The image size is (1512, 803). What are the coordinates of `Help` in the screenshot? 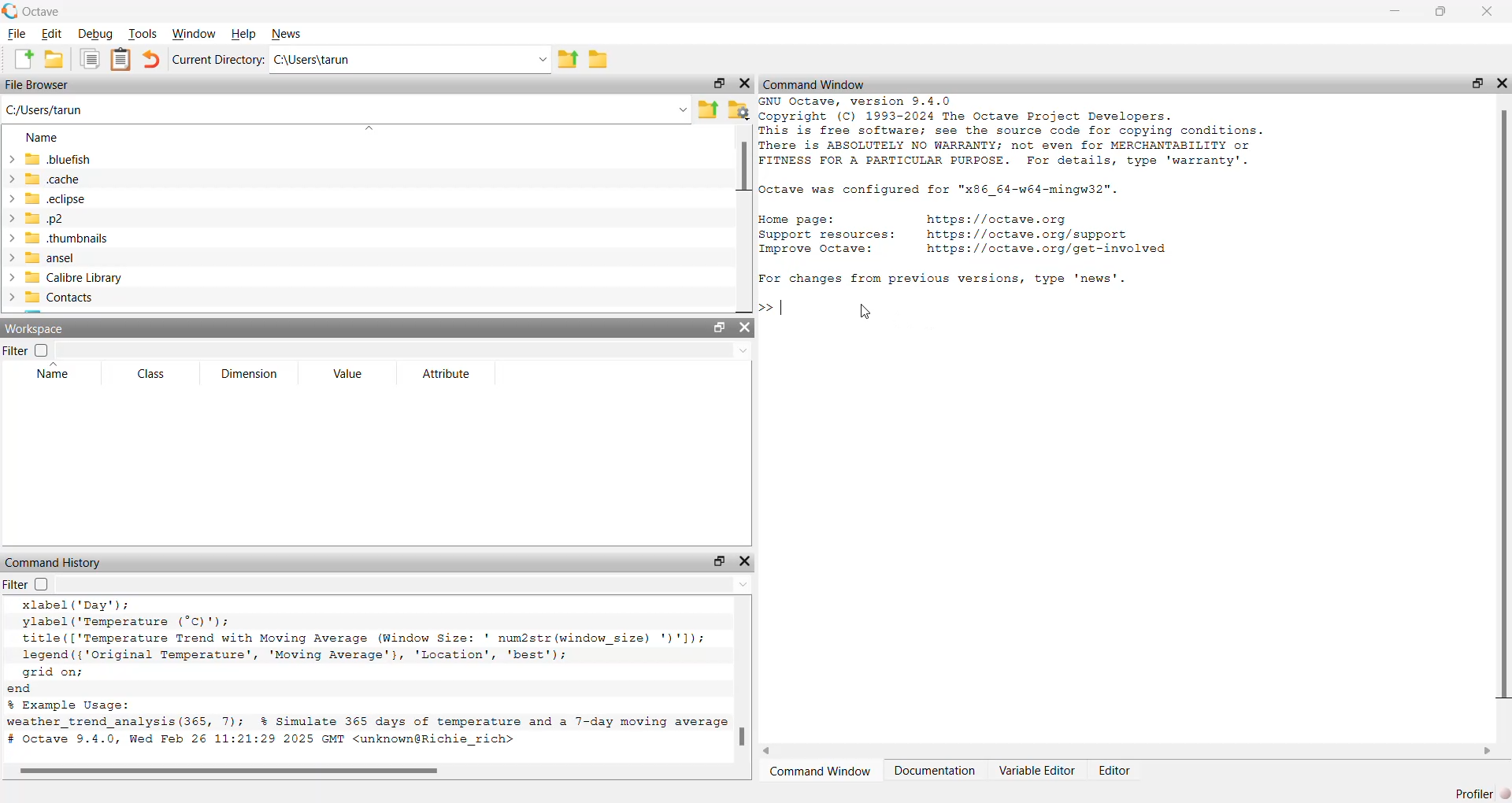 It's located at (239, 33).